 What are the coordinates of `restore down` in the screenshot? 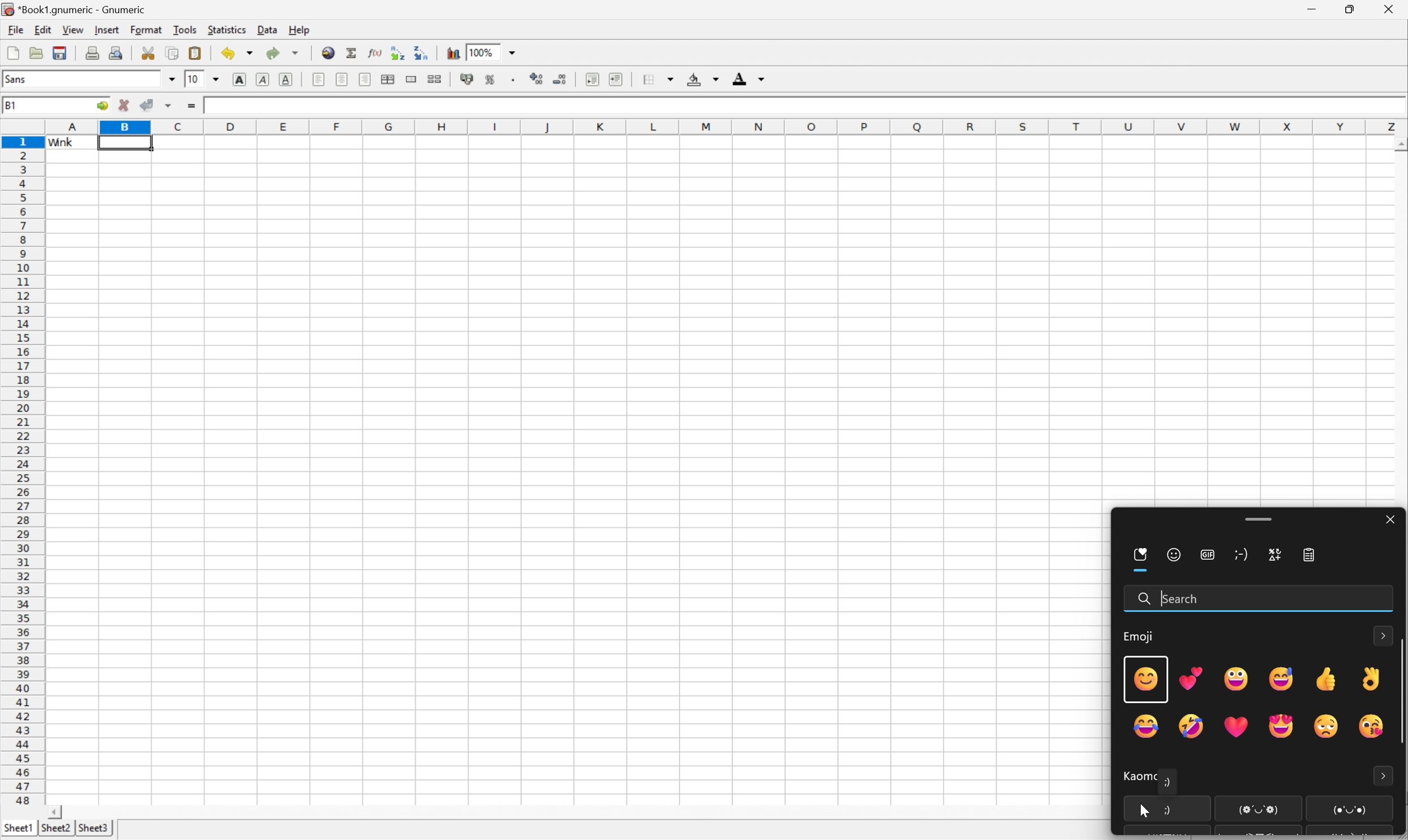 It's located at (1352, 10).